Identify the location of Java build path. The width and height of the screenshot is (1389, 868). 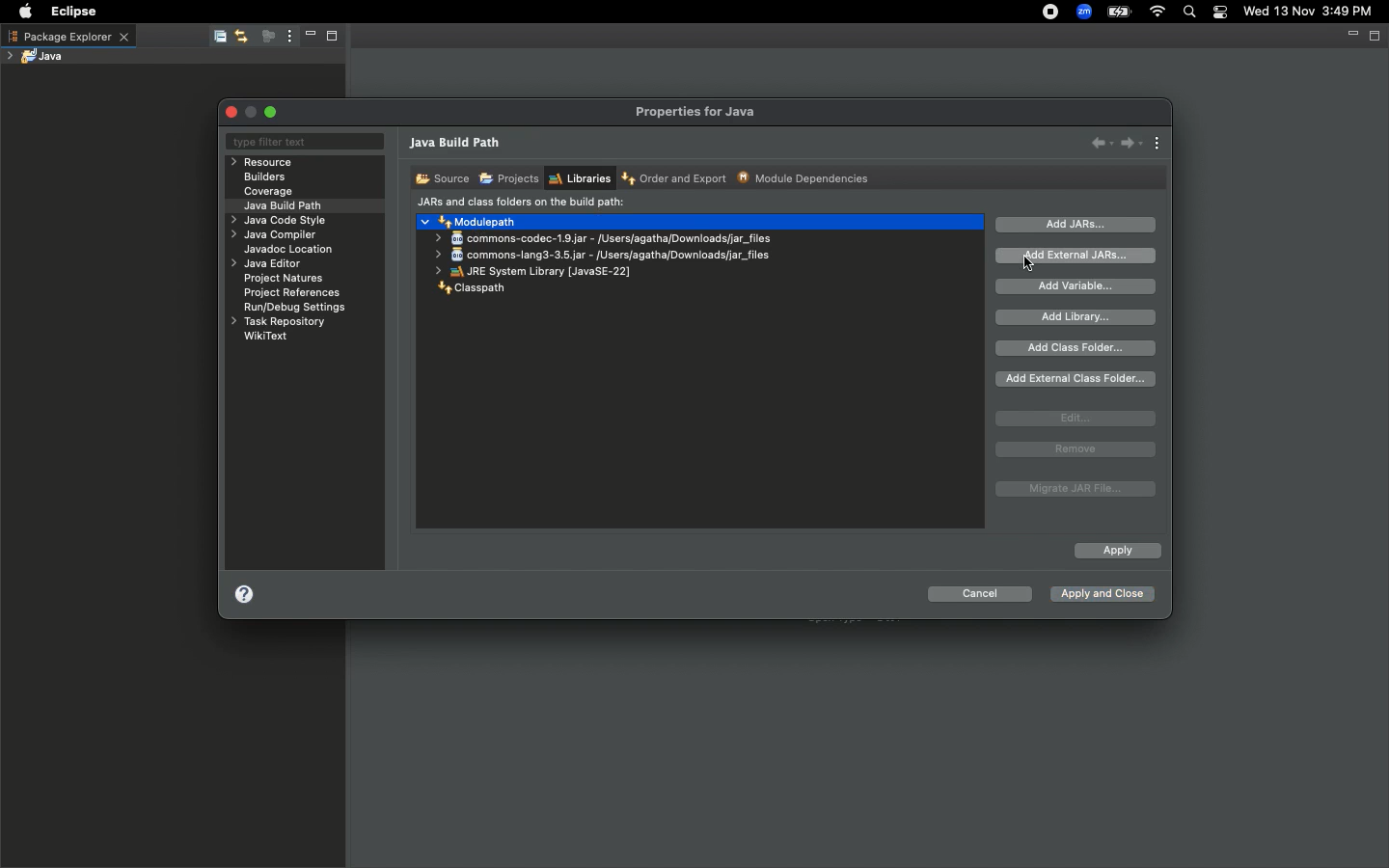
(458, 145).